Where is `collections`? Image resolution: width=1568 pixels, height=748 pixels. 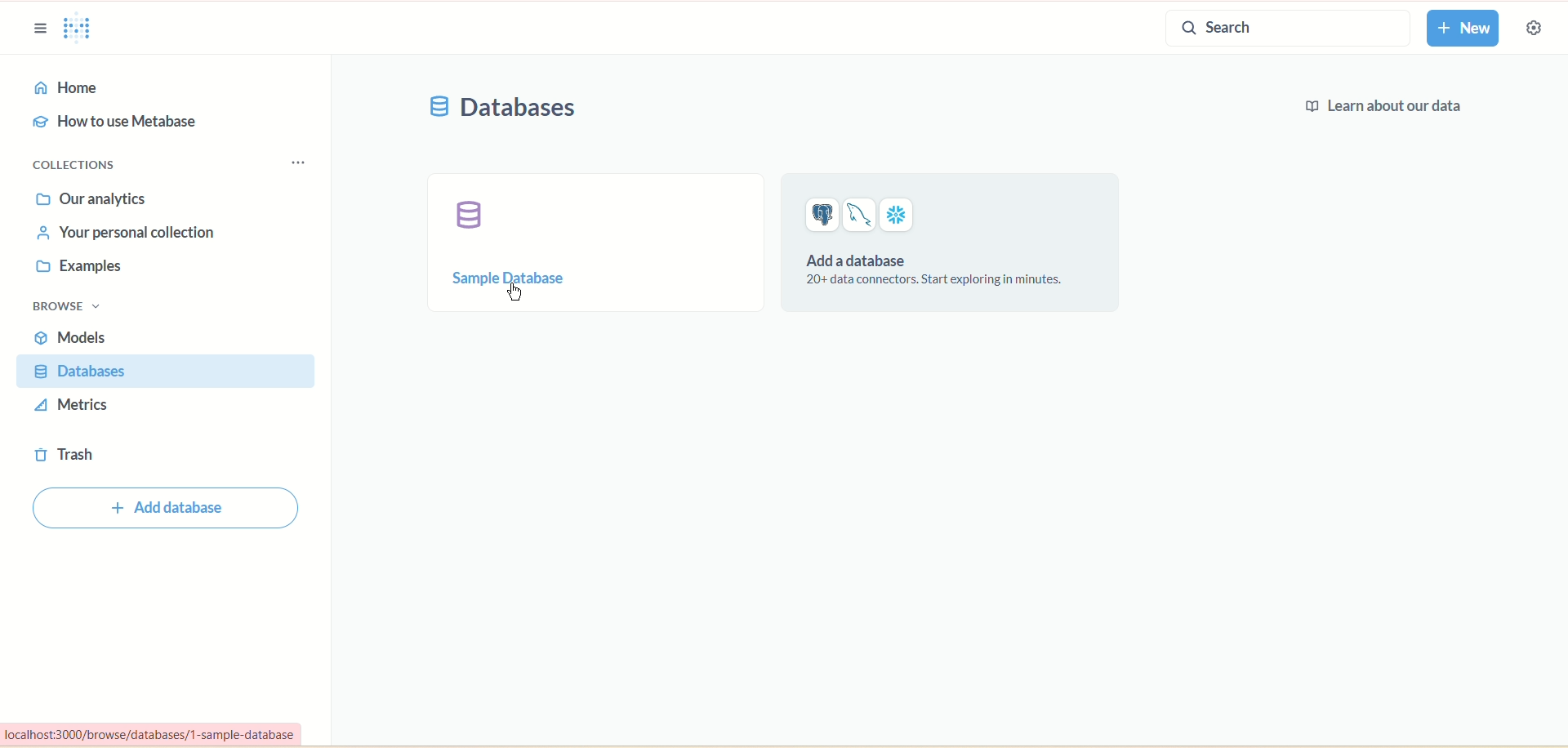
collections is located at coordinates (89, 167).